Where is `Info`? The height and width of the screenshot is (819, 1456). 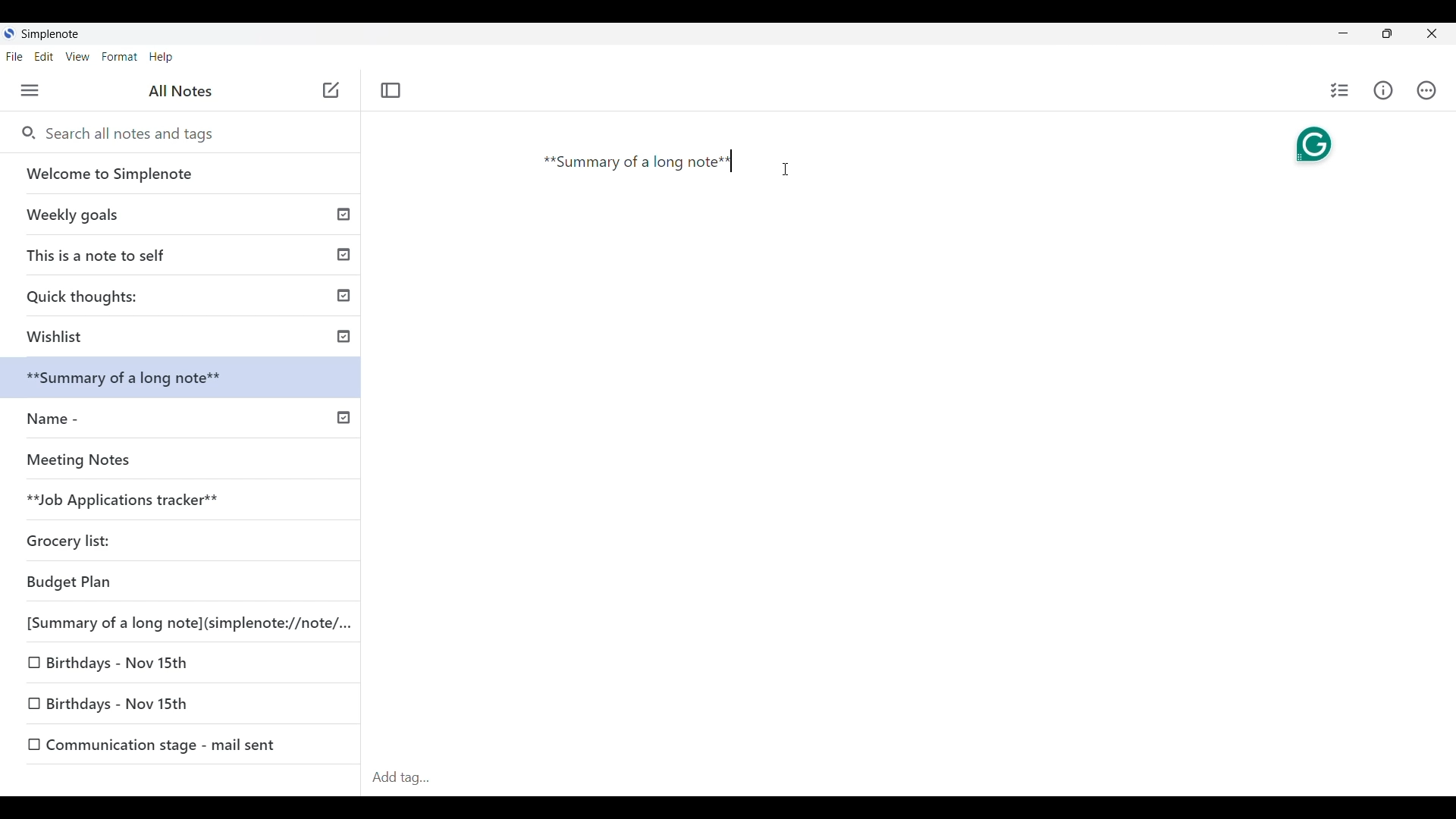 Info is located at coordinates (1383, 90).